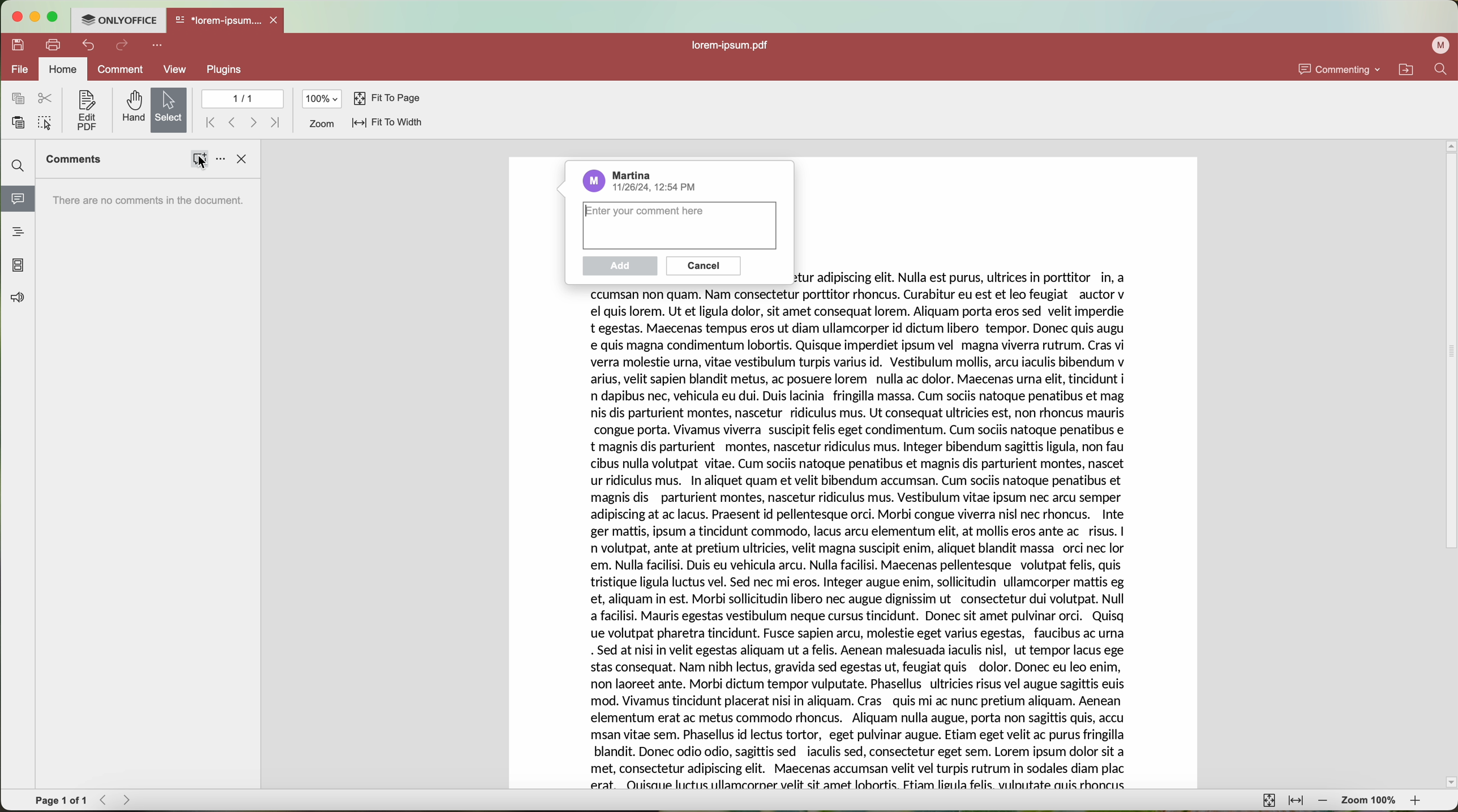 Image resolution: width=1458 pixels, height=812 pixels. What do you see at coordinates (321, 124) in the screenshot?
I see `zoom` at bounding box center [321, 124].